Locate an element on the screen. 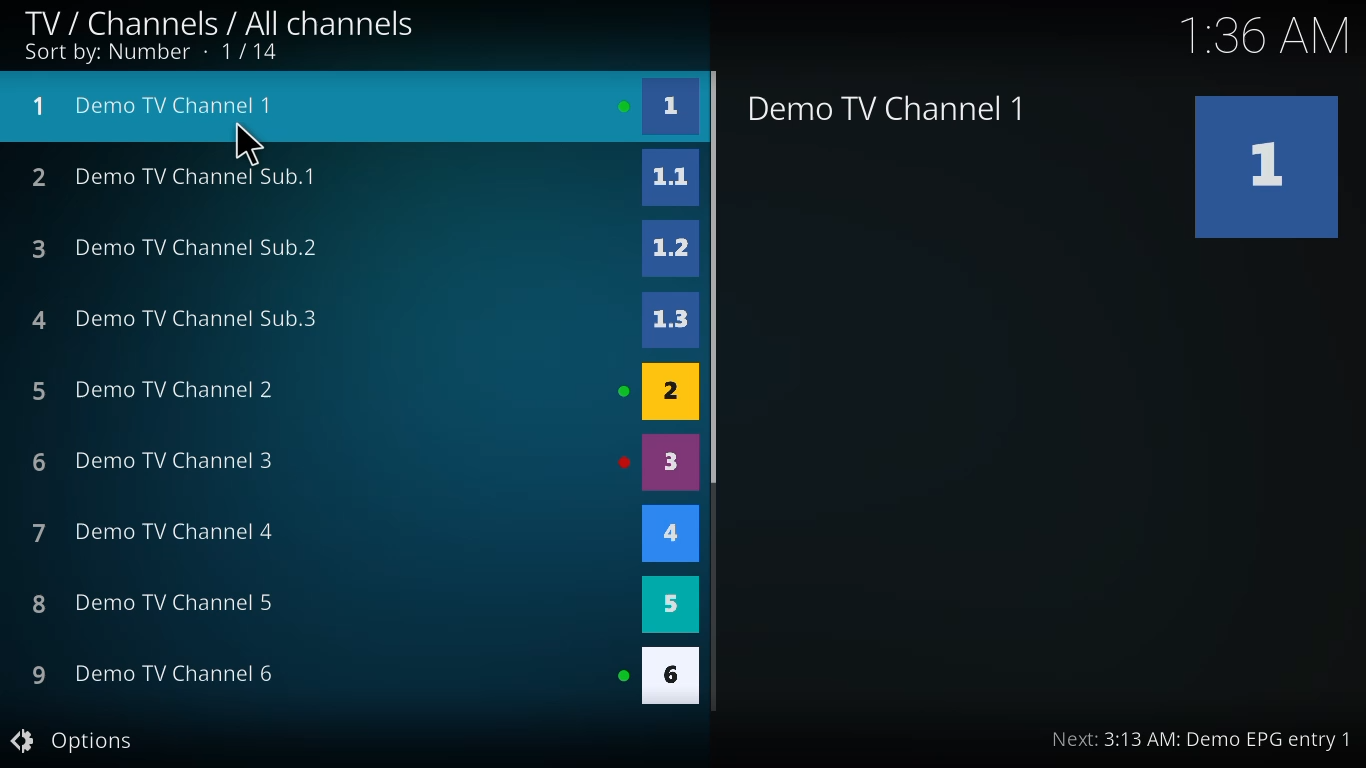  4 is located at coordinates (675, 534).